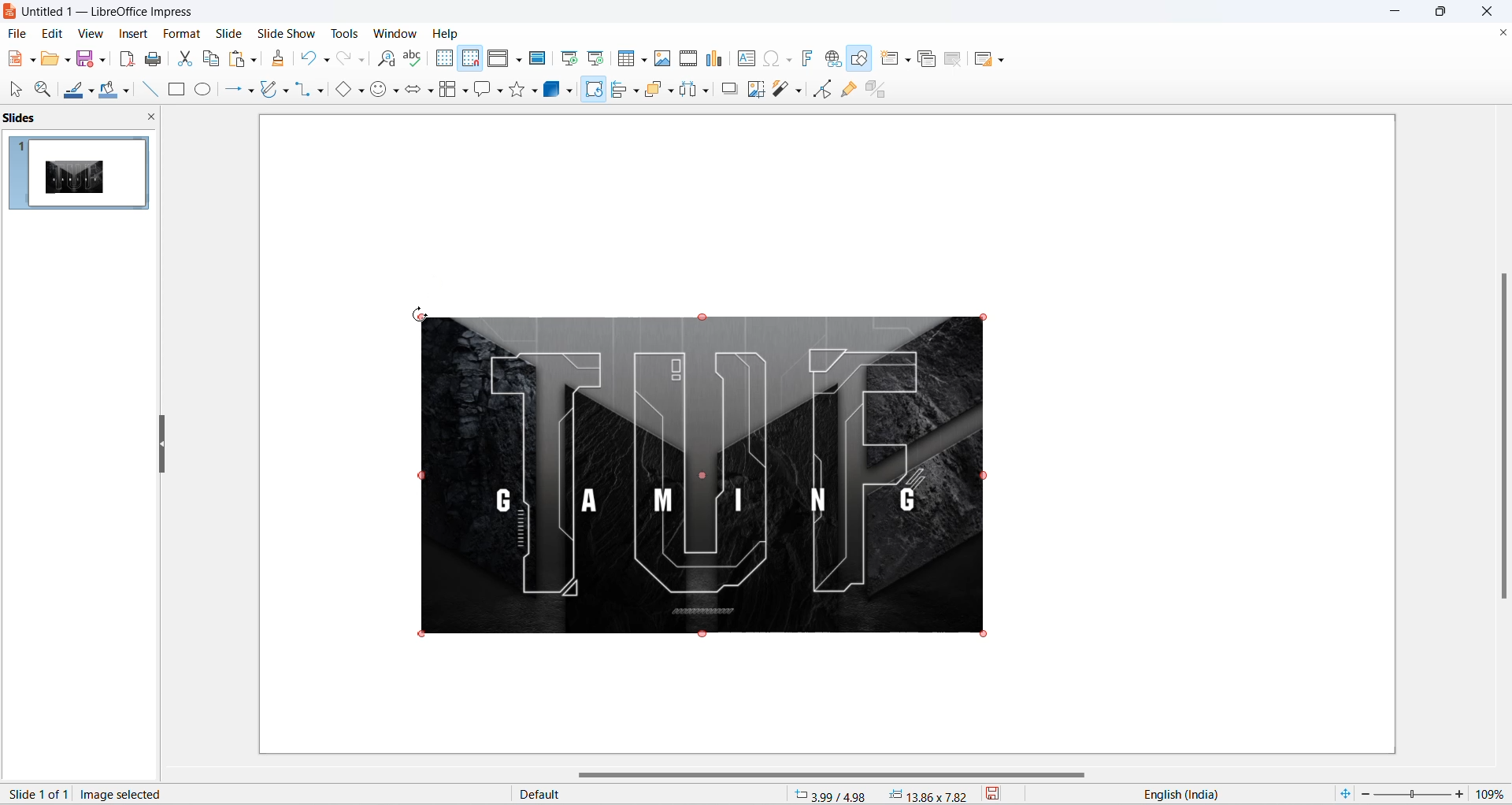 Image resolution: width=1512 pixels, height=805 pixels. I want to click on redo, so click(344, 59).